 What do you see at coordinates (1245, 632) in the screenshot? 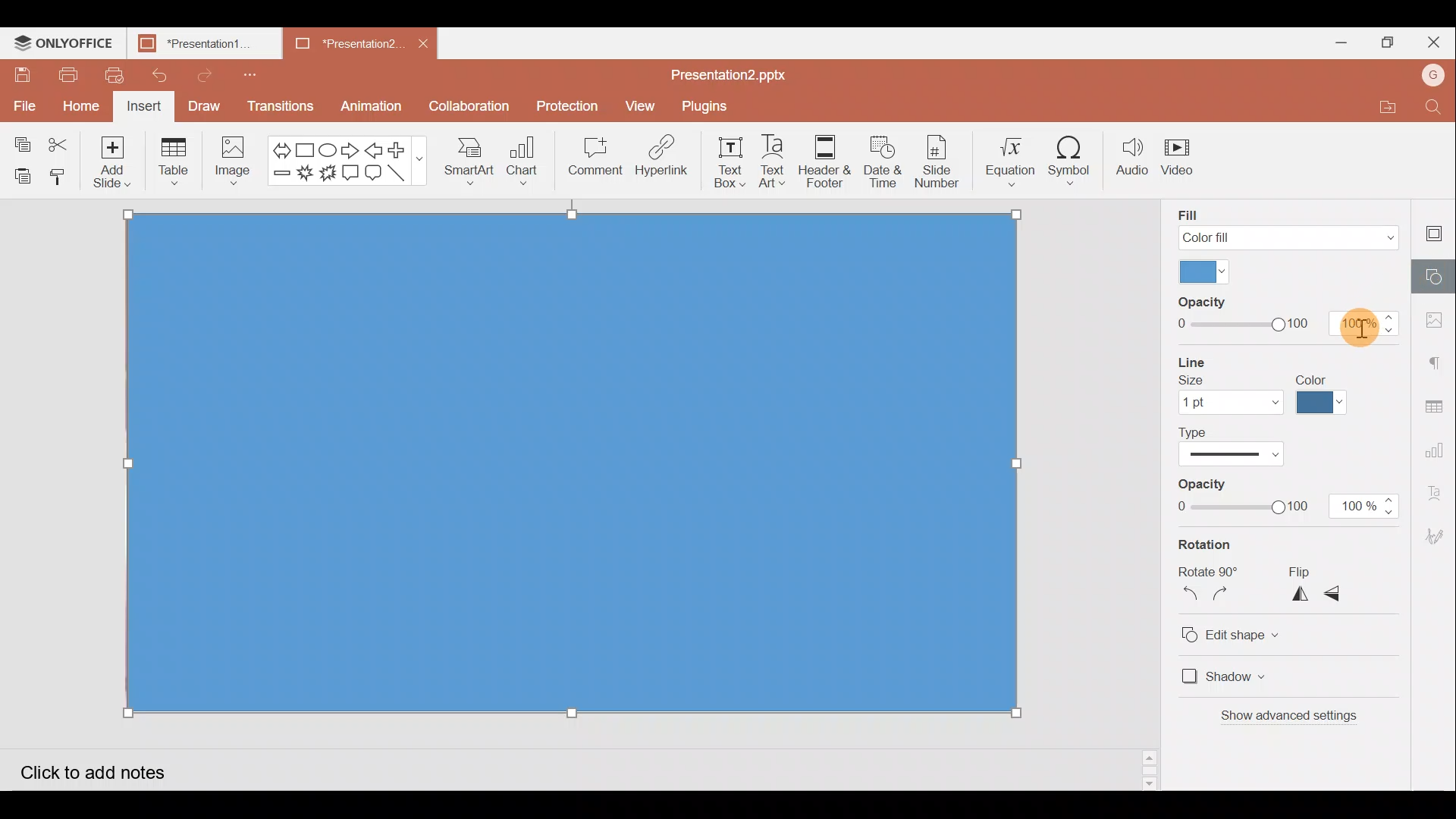
I see `Edit shape` at bounding box center [1245, 632].